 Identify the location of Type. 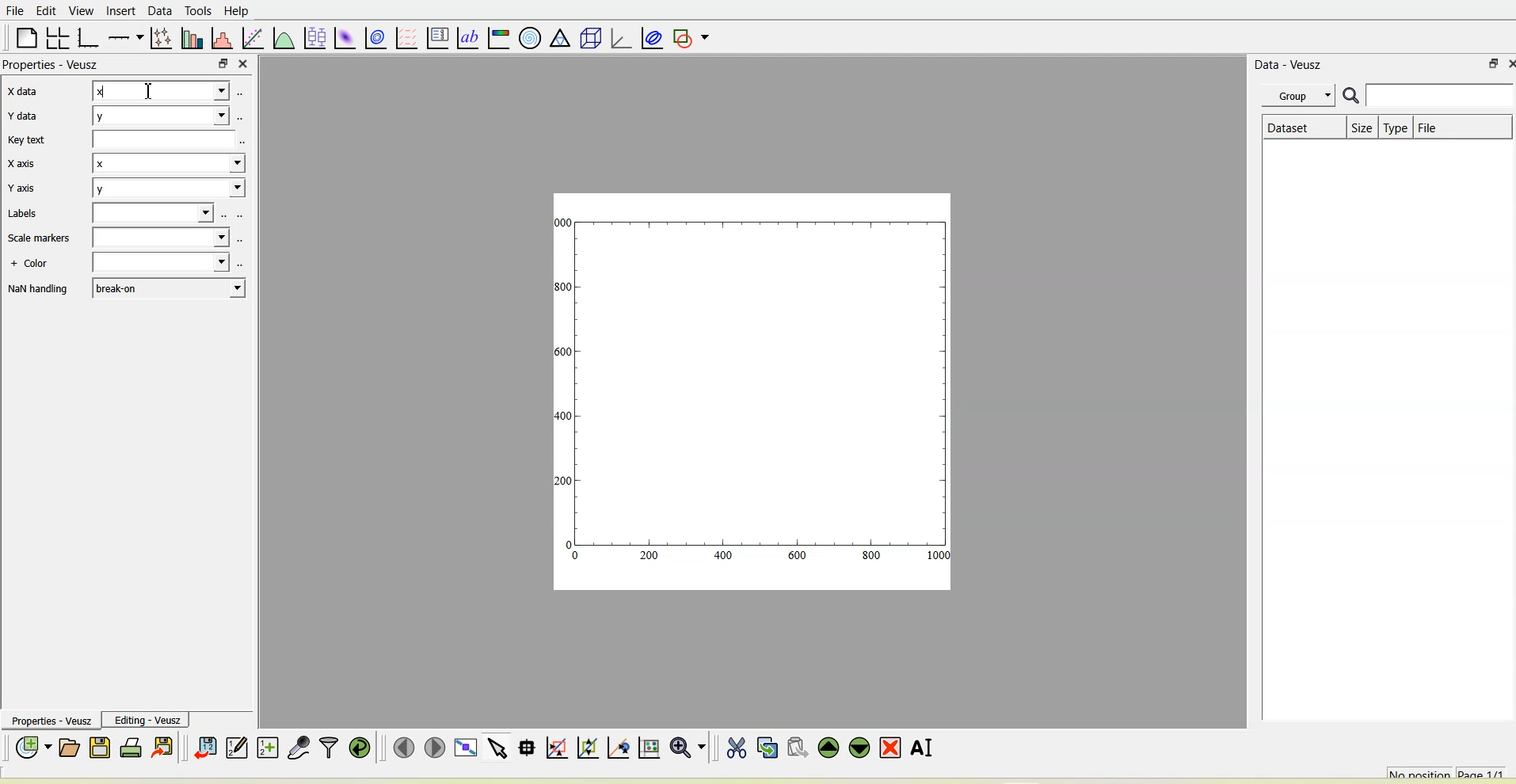
(1396, 127).